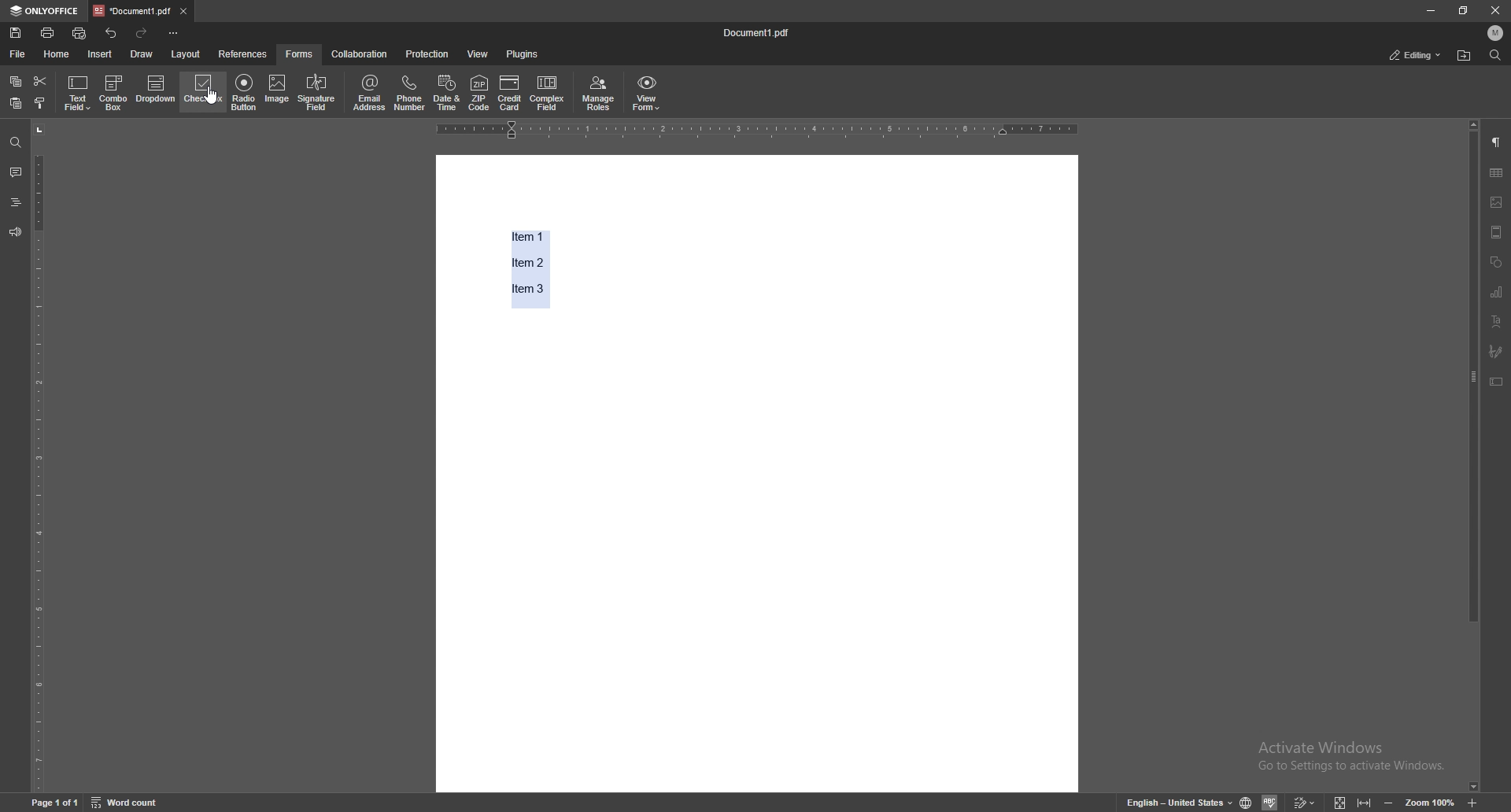 The height and width of the screenshot is (812, 1511). I want to click on protection, so click(429, 54).